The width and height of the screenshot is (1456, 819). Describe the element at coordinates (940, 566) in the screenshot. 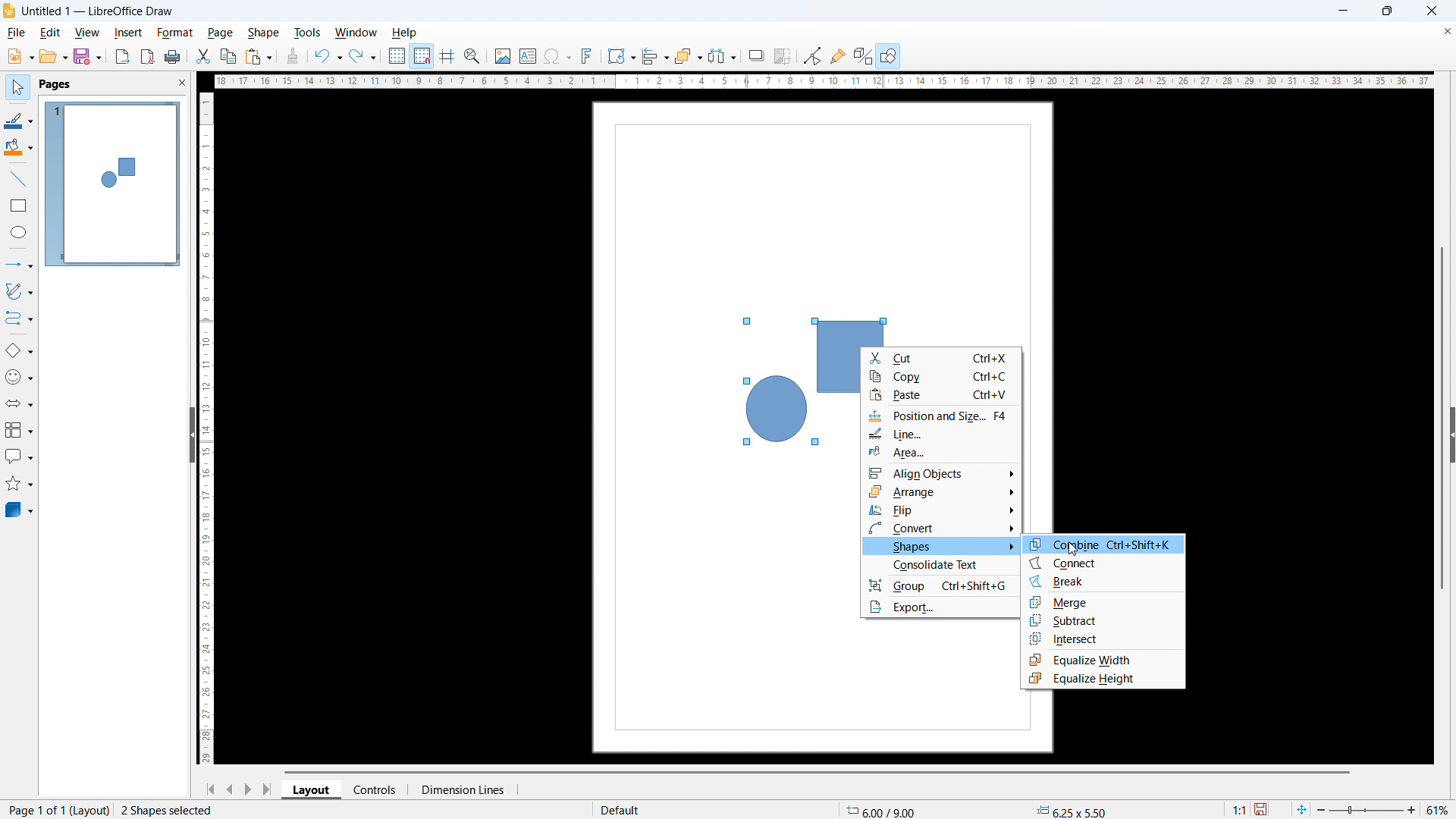

I see `consolidate text` at that location.